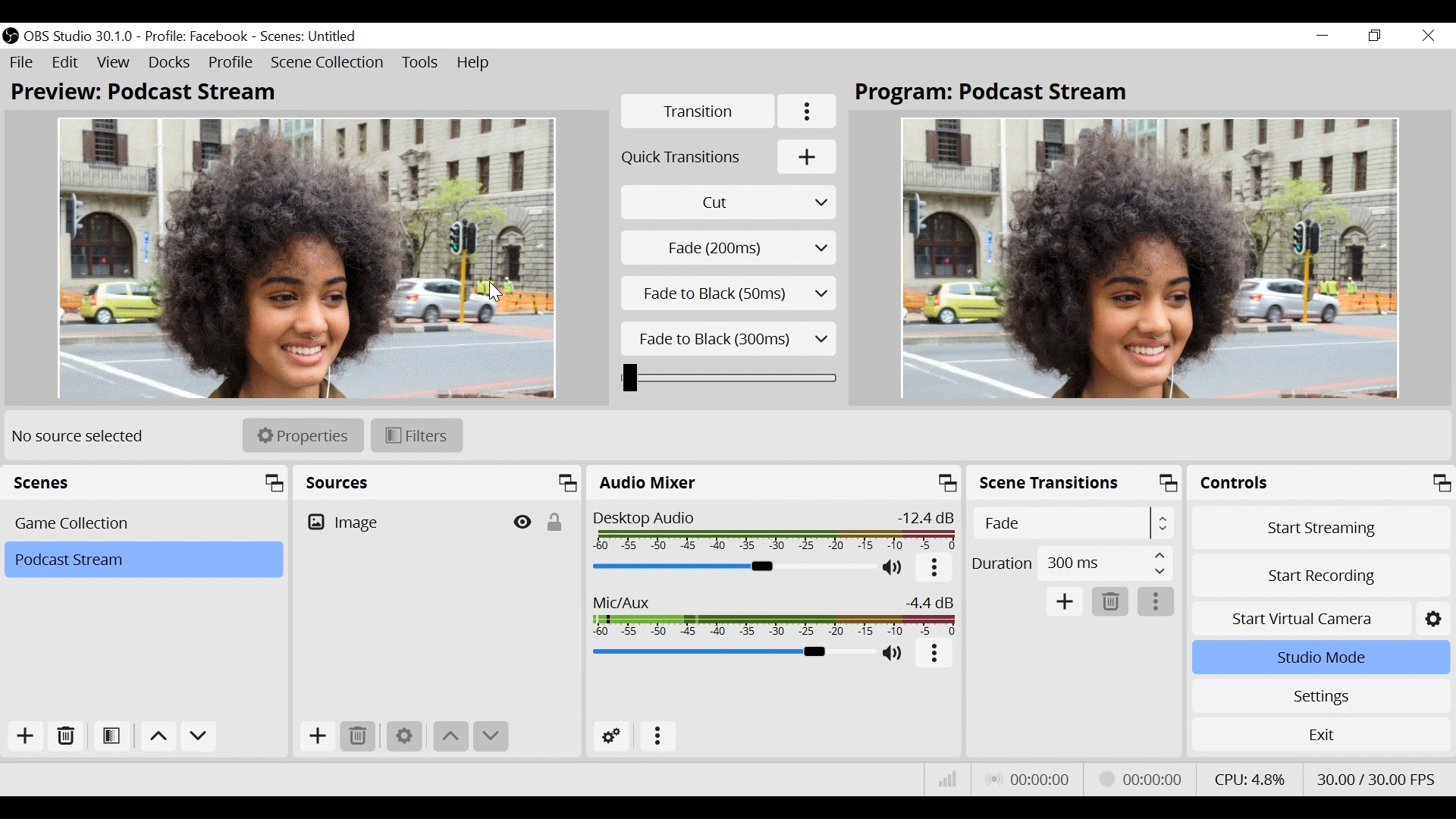 Image resolution: width=1456 pixels, height=819 pixels. What do you see at coordinates (1073, 481) in the screenshot?
I see `Scene Transition` at bounding box center [1073, 481].